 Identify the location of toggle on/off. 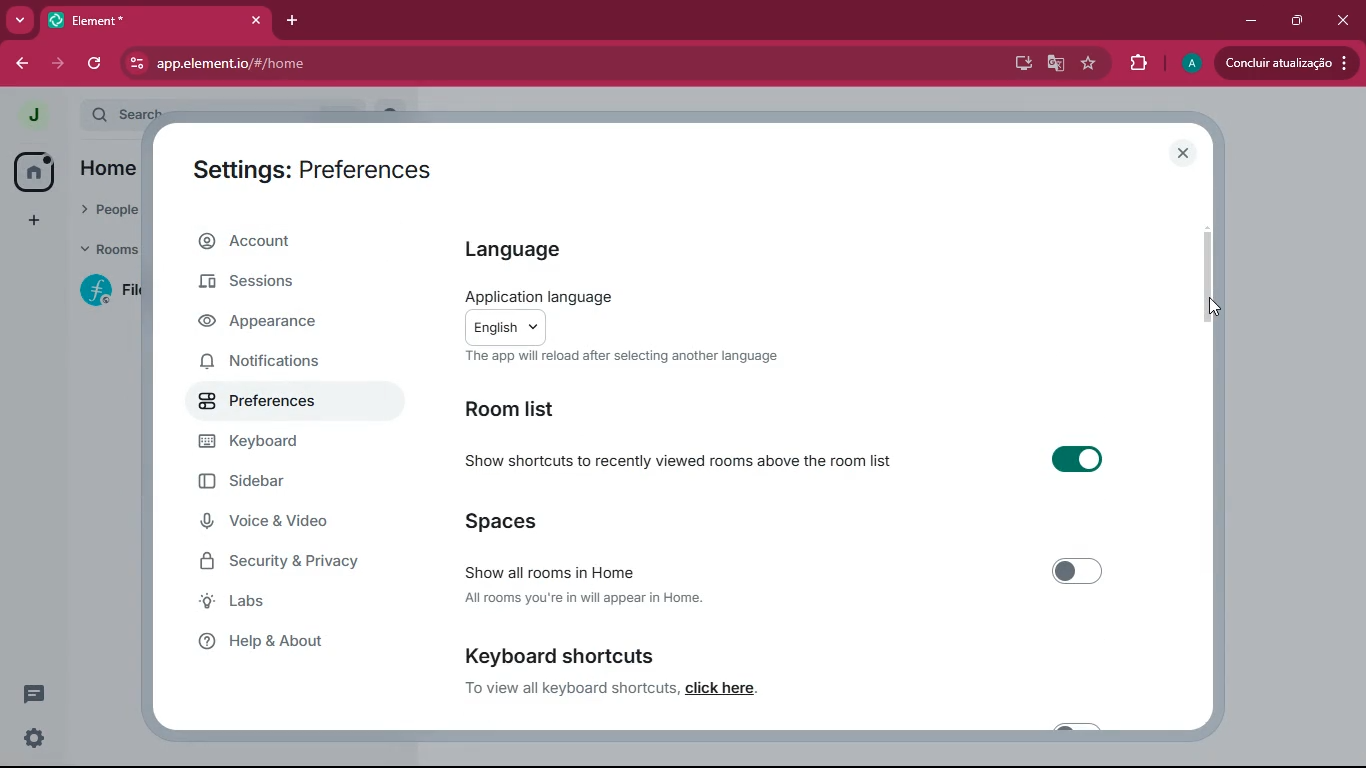
(1078, 572).